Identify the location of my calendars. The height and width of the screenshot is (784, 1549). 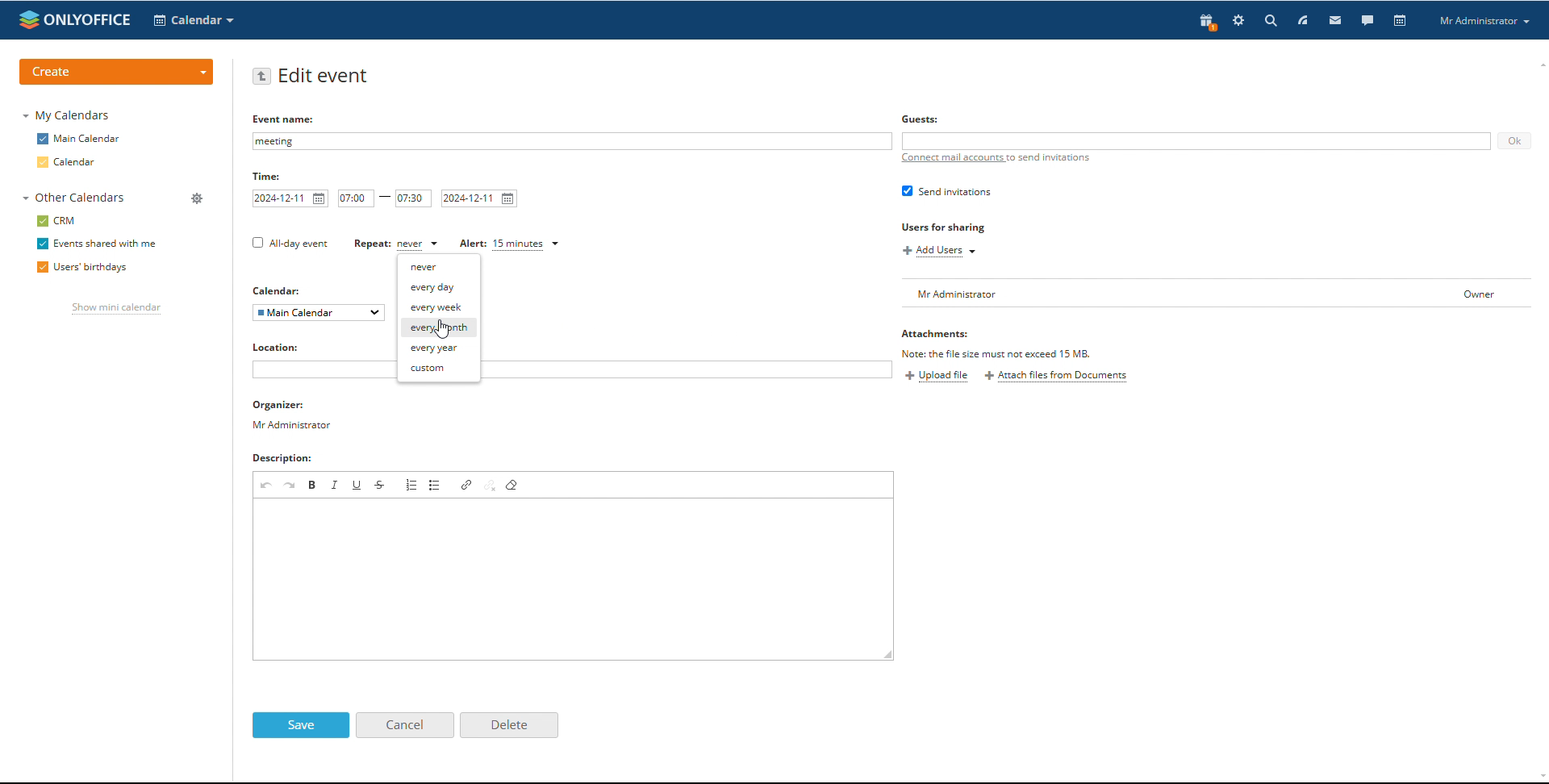
(65, 115).